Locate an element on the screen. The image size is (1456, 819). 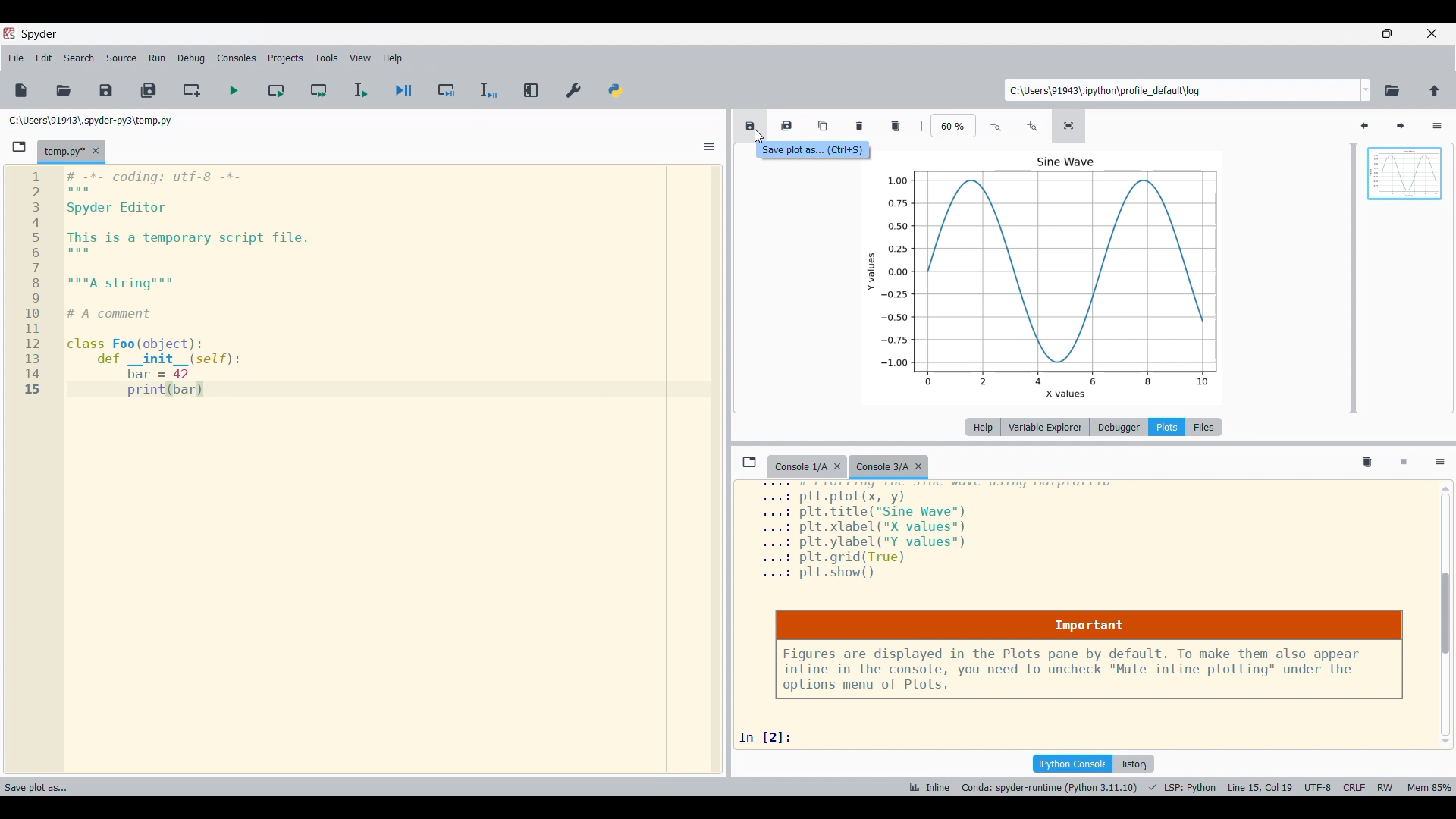
Help menu is located at coordinates (394, 58).